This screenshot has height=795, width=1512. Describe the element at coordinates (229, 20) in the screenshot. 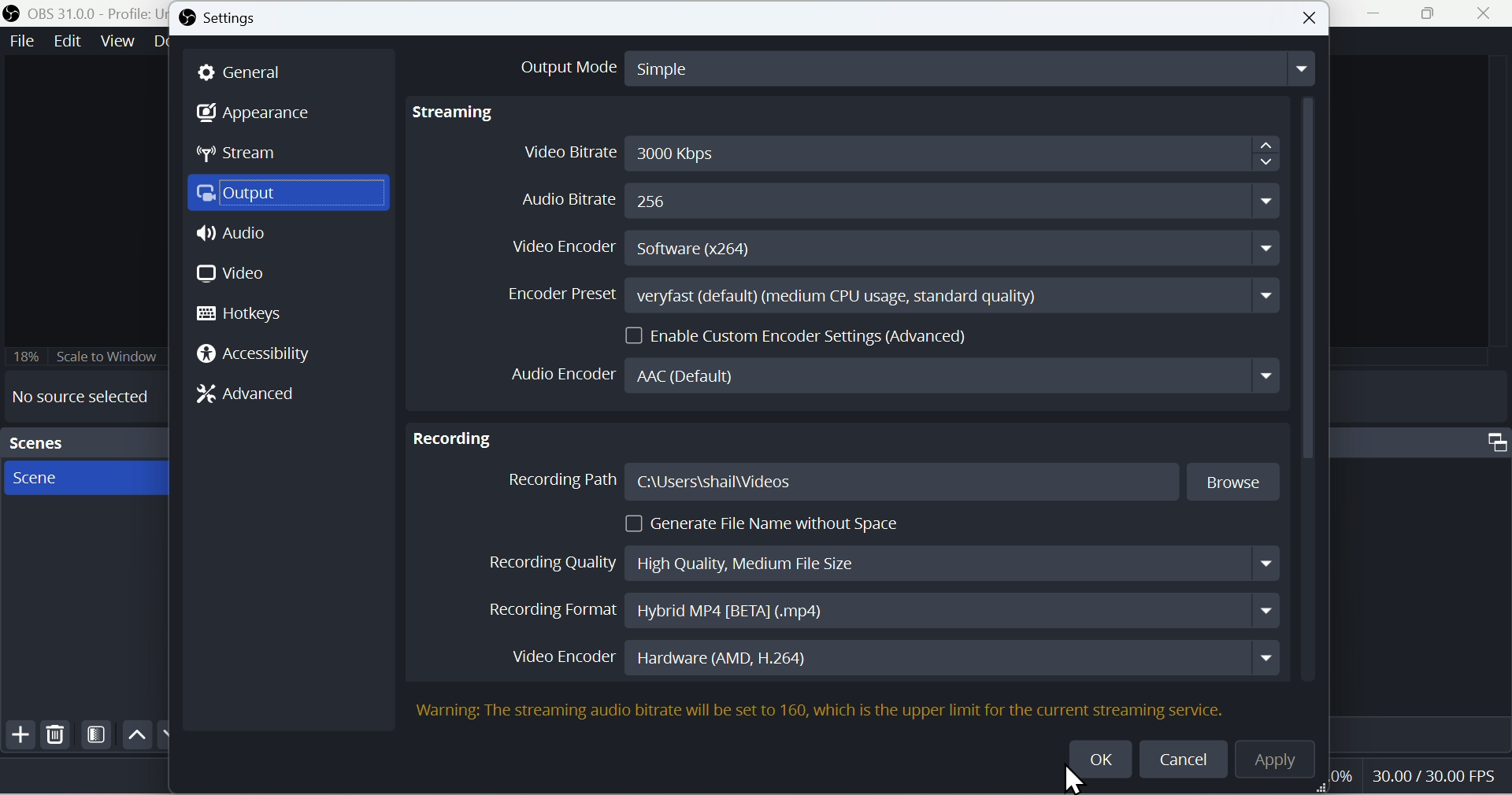

I see `Settings` at that location.